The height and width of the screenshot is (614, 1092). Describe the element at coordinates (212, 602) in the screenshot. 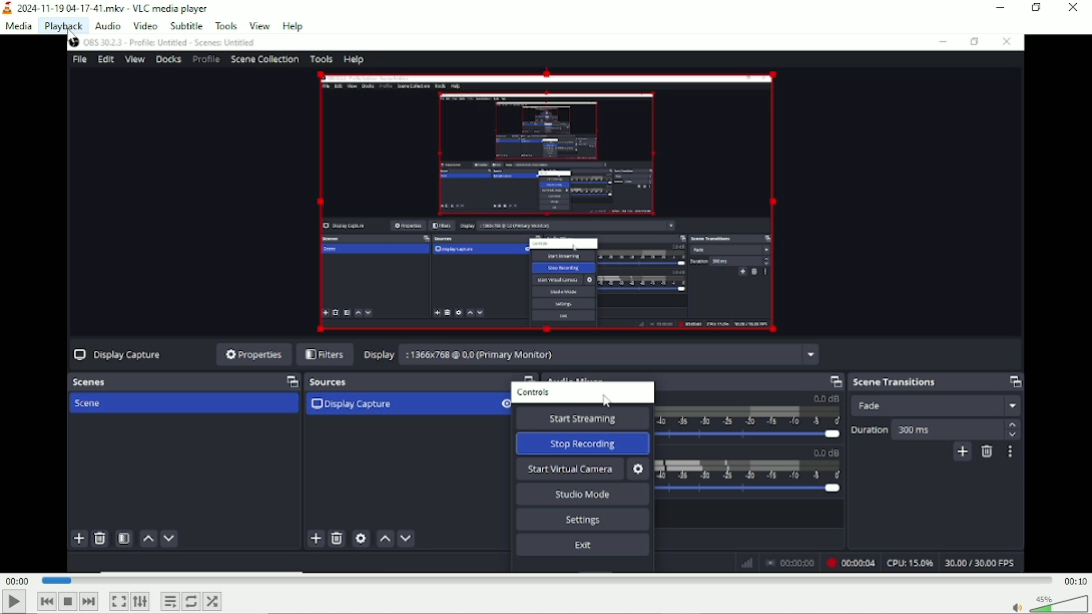

I see `Random` at that location.